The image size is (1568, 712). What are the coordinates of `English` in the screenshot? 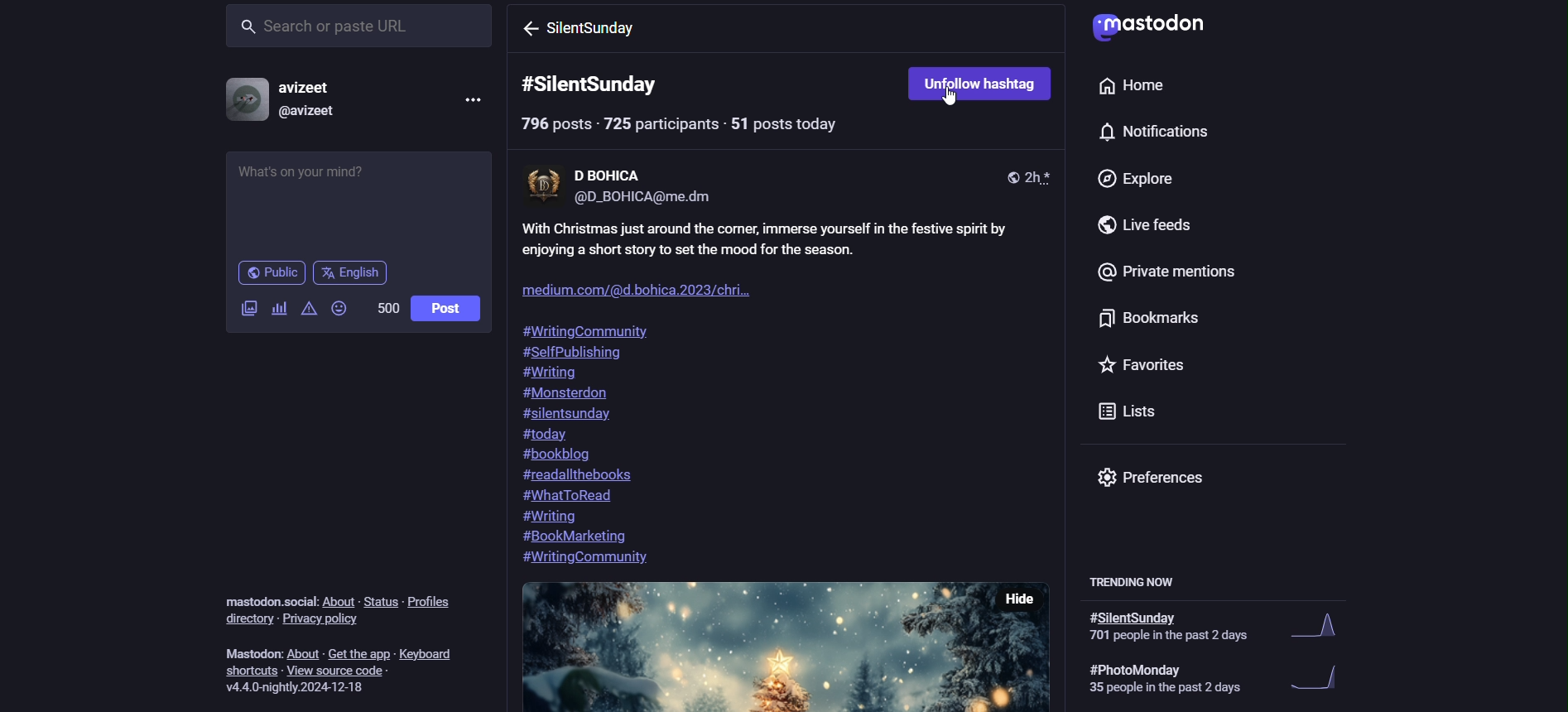 It's located at (349, 272).